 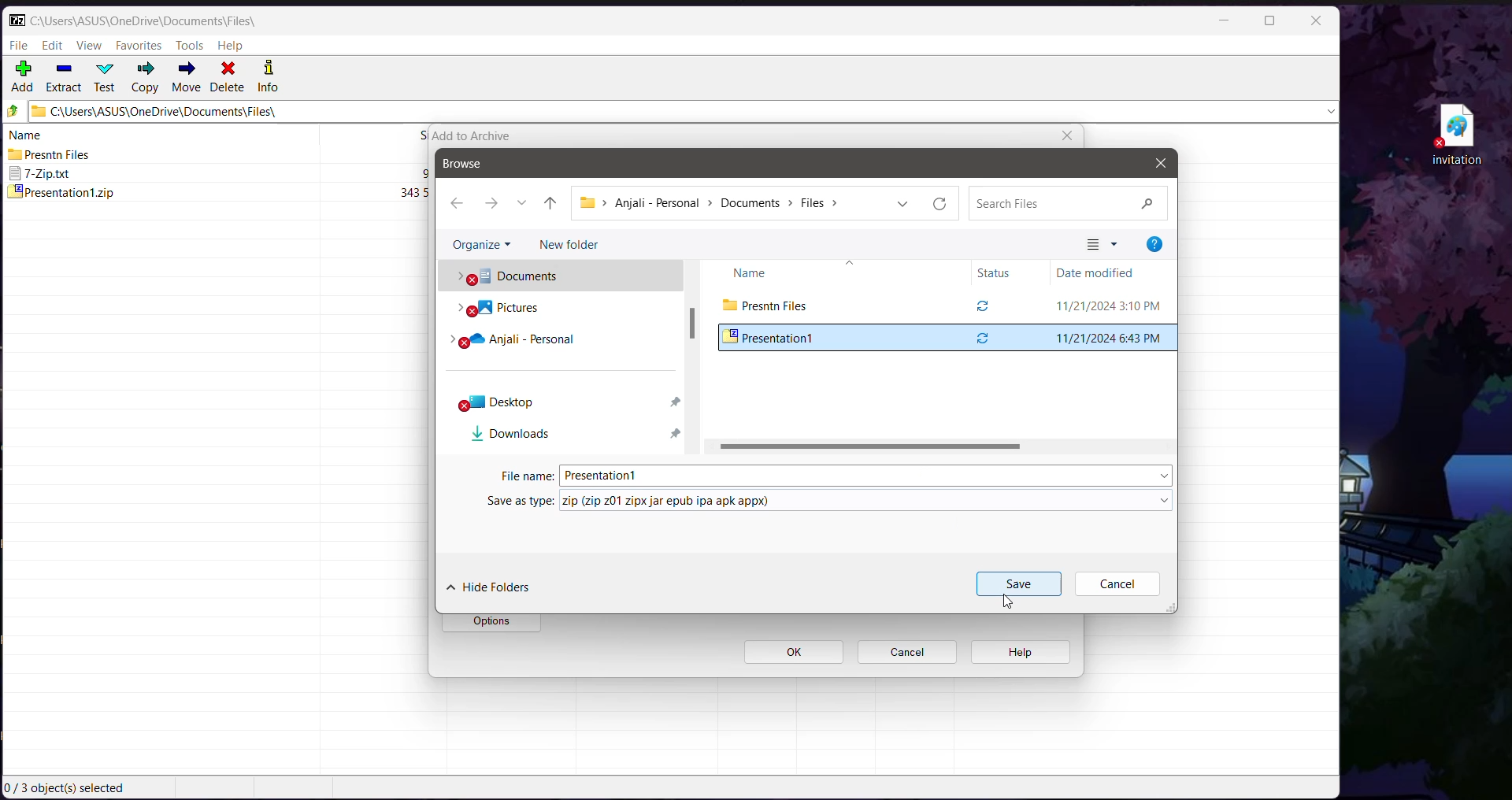 What do you see at coordinates (484, 245) in the screenshot?
I see `Organize` at bounding box center [484, 245].